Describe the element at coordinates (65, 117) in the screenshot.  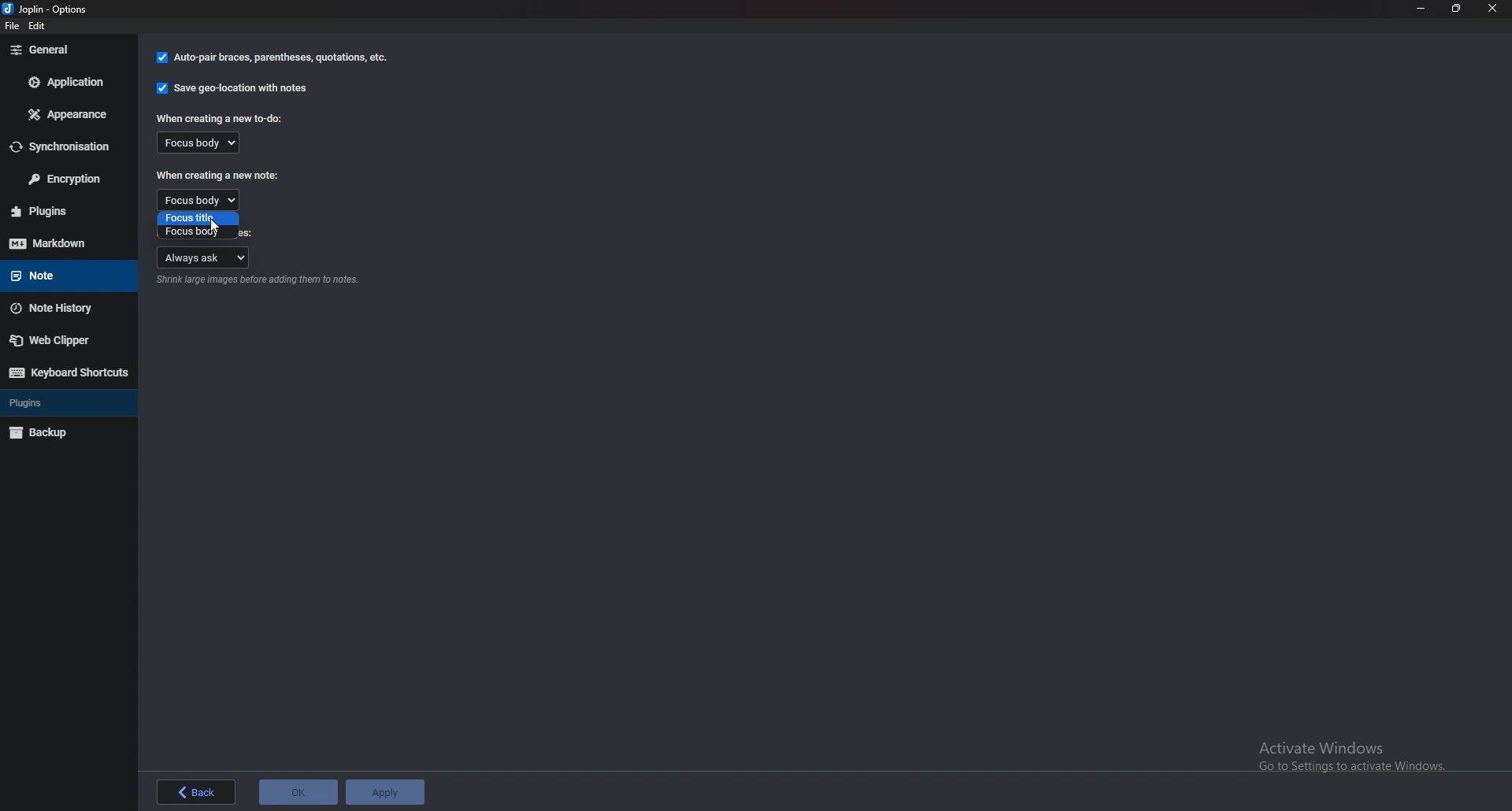
I see `Appearance` at that location.